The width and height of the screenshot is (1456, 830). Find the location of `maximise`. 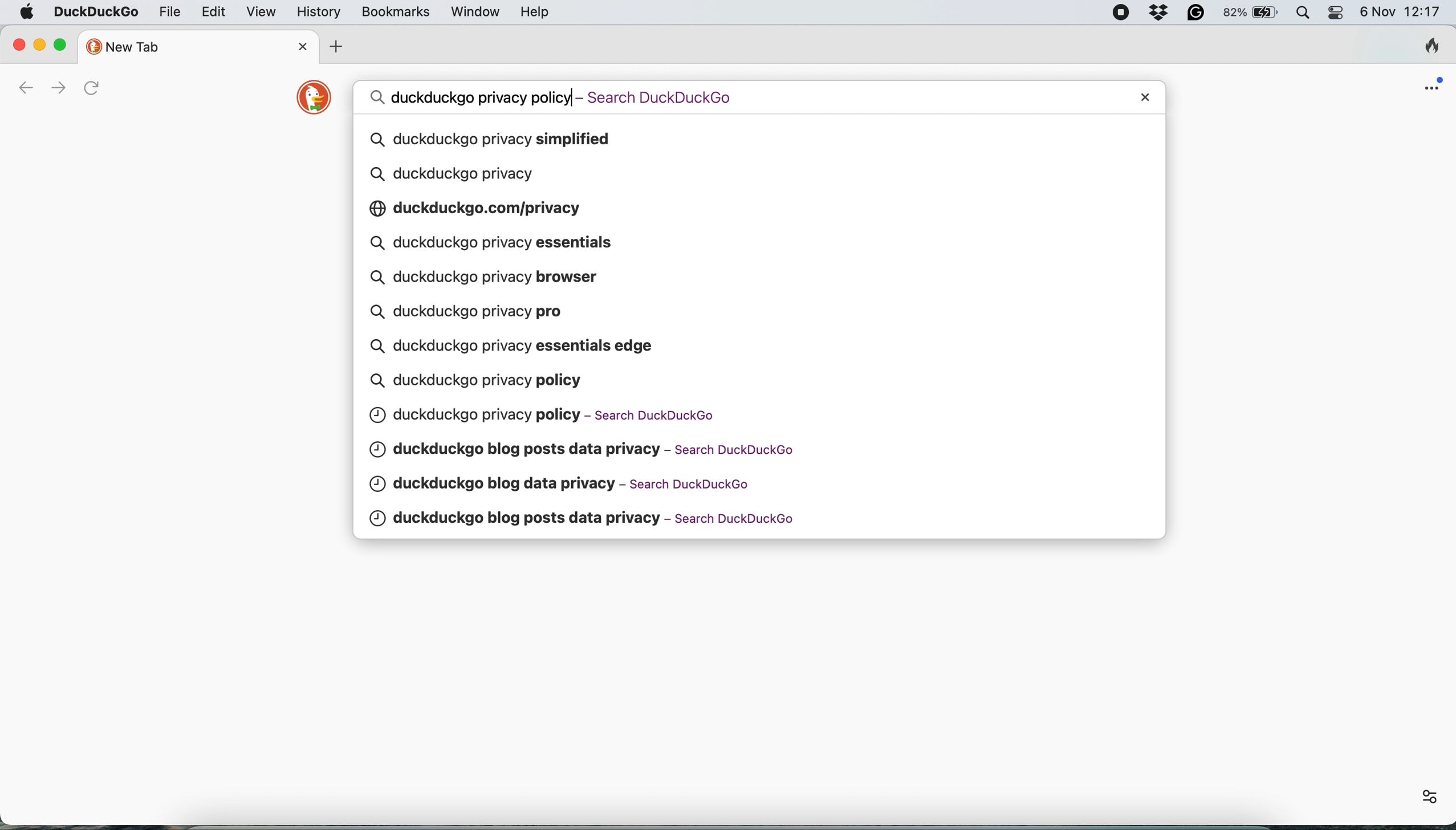

maximise is located at coordinates (62, 44).